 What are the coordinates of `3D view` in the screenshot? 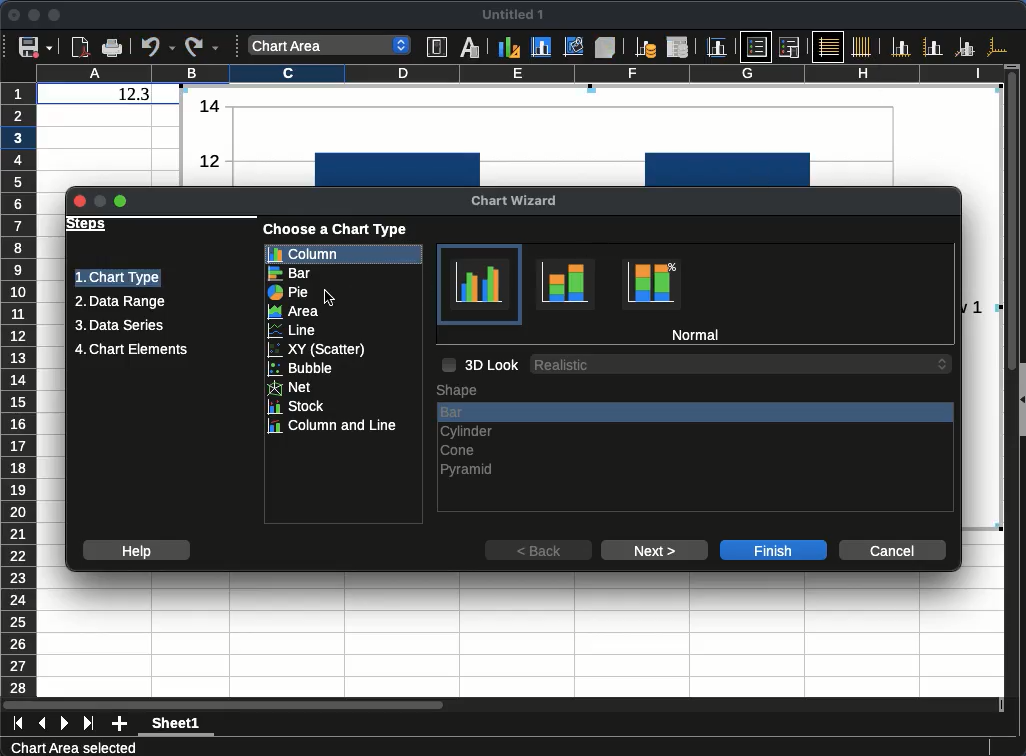 It's located at (605, 47).